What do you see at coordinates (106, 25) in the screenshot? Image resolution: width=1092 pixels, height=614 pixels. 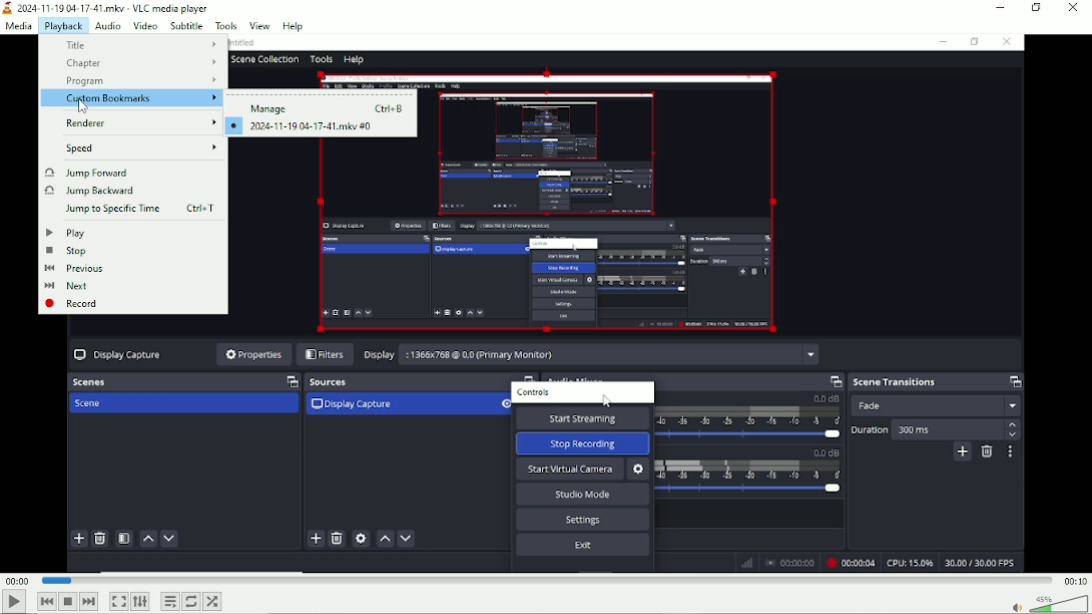 I see `Audio` at bounding box center [106, 25].